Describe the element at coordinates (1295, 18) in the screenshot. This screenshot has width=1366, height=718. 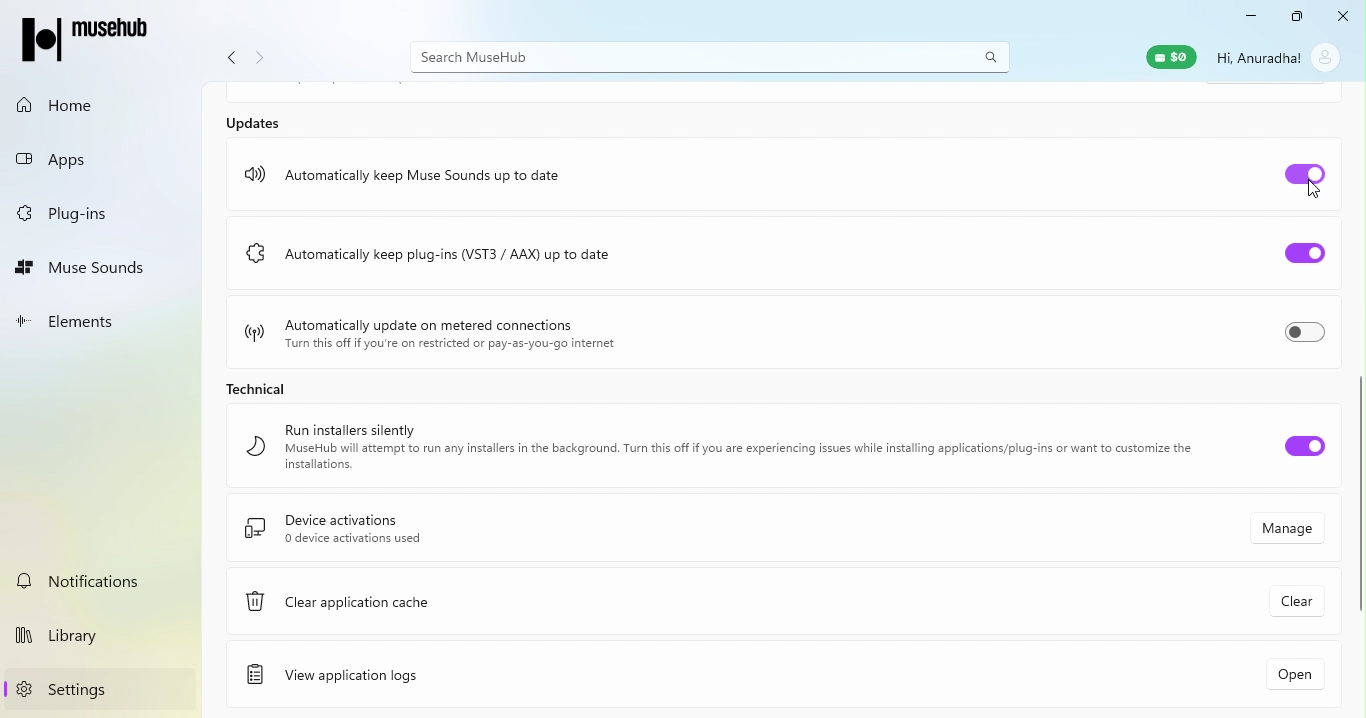
I see `Maximize` at that location.